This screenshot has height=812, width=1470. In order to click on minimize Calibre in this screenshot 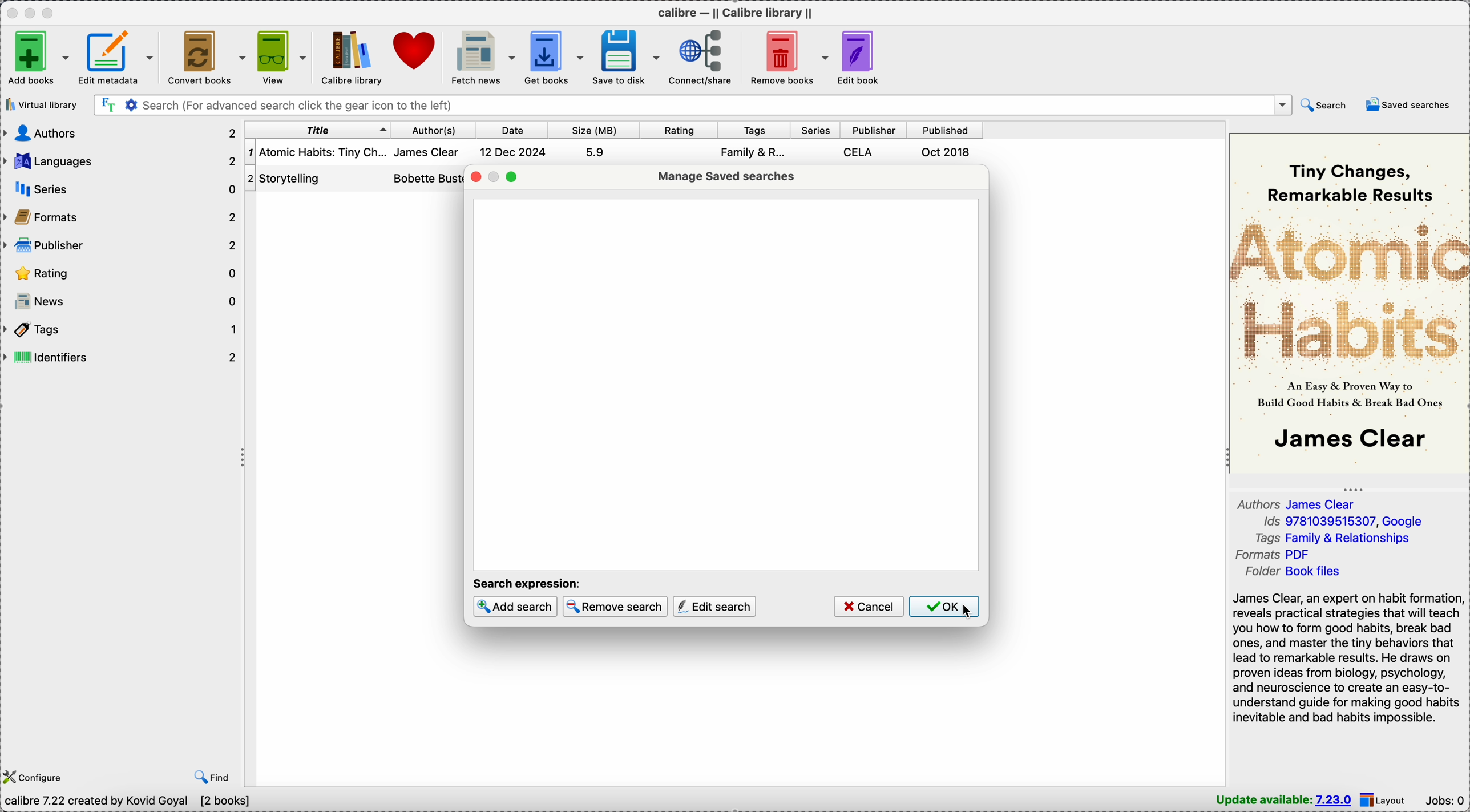, I will do `click(32, 13)`.